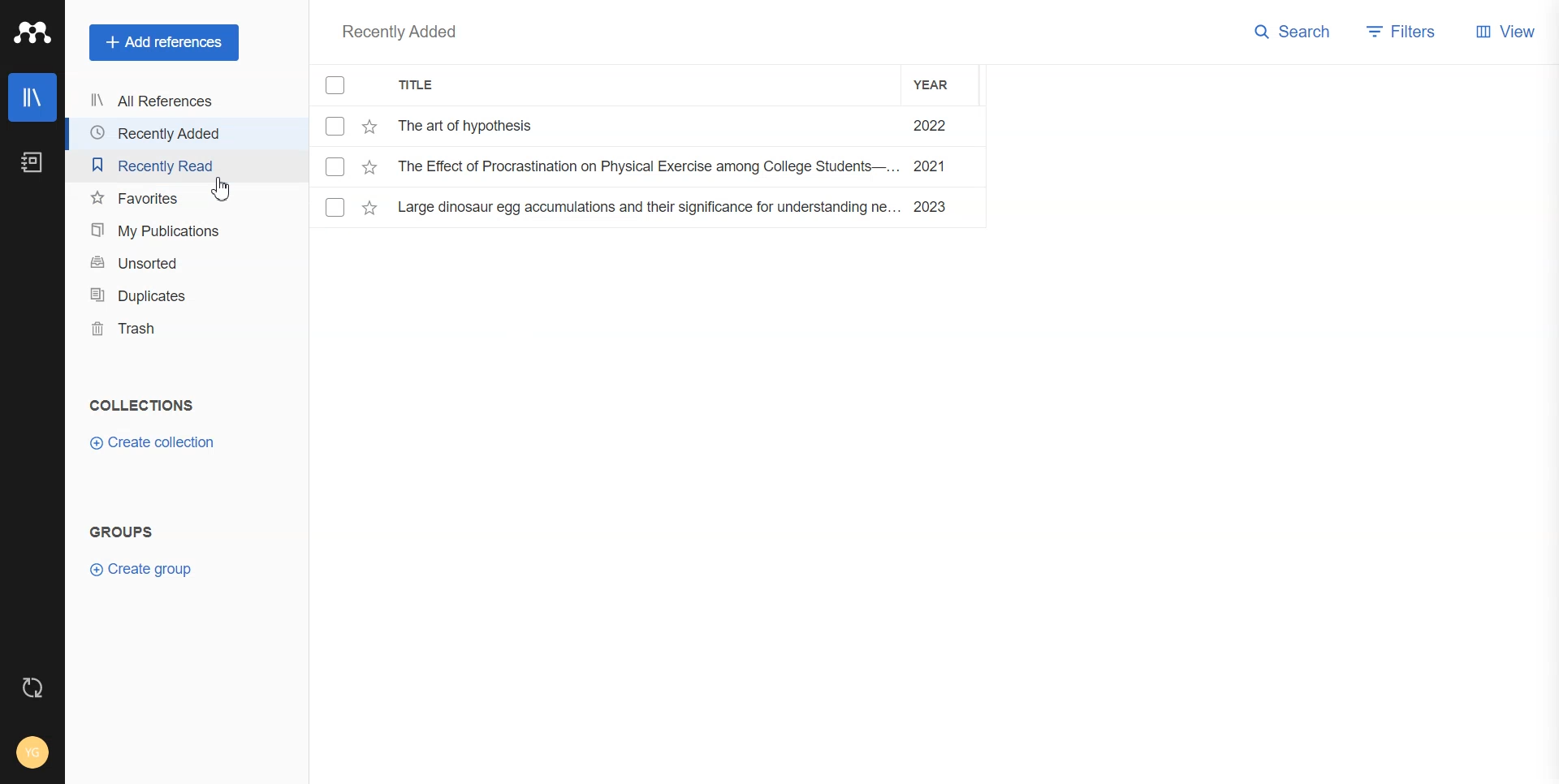 The width and height of the screenshot is (1559, 784). Describe the element at coordinates (1507, 35) in the screenshot. I see `View` at that location.